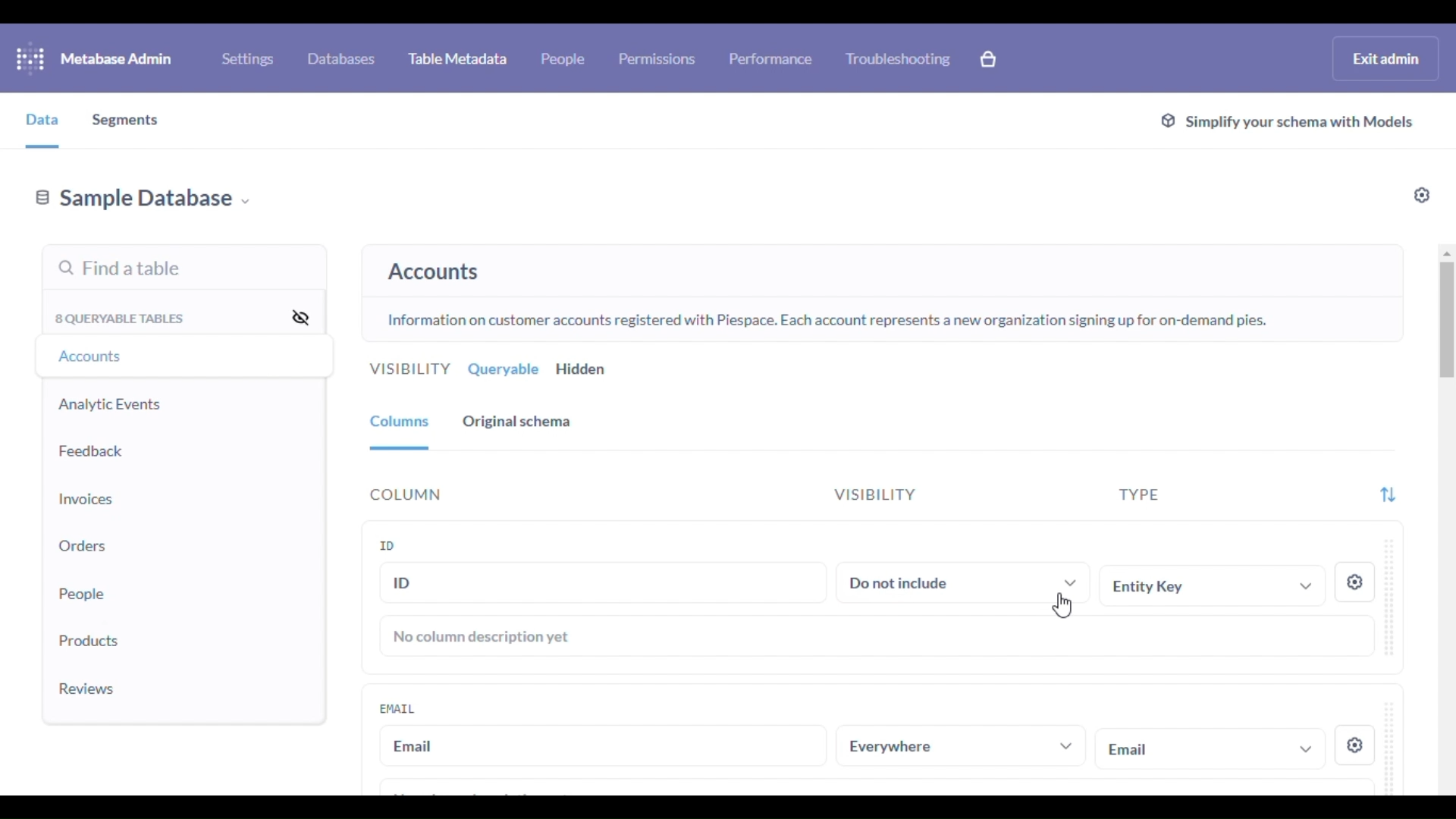  Describe the element at coordinates (1062, 605) in the screenshot. I see `cursor` at that location.